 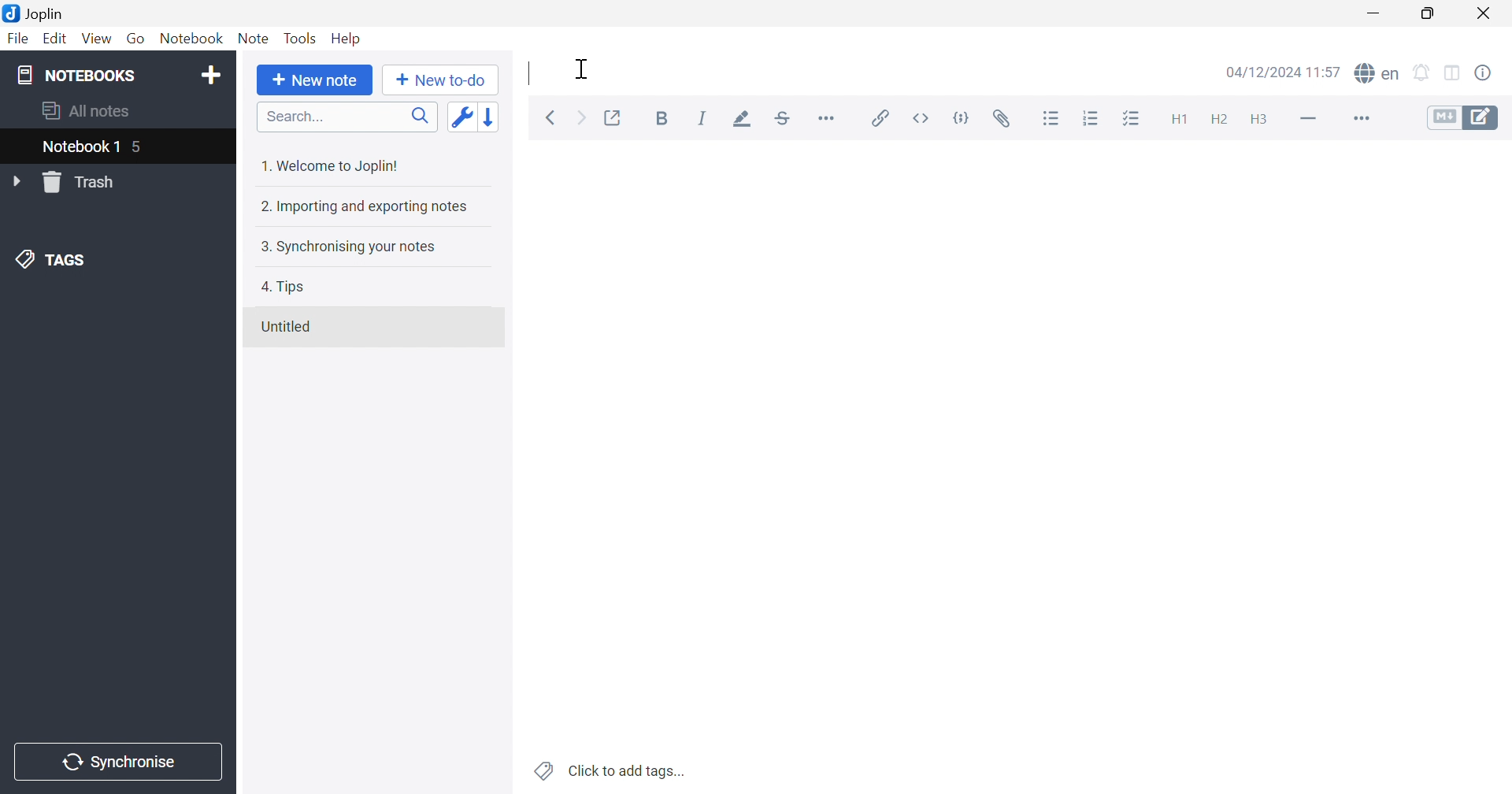 I want to click on Note properties, so click(x=1486, y=71).